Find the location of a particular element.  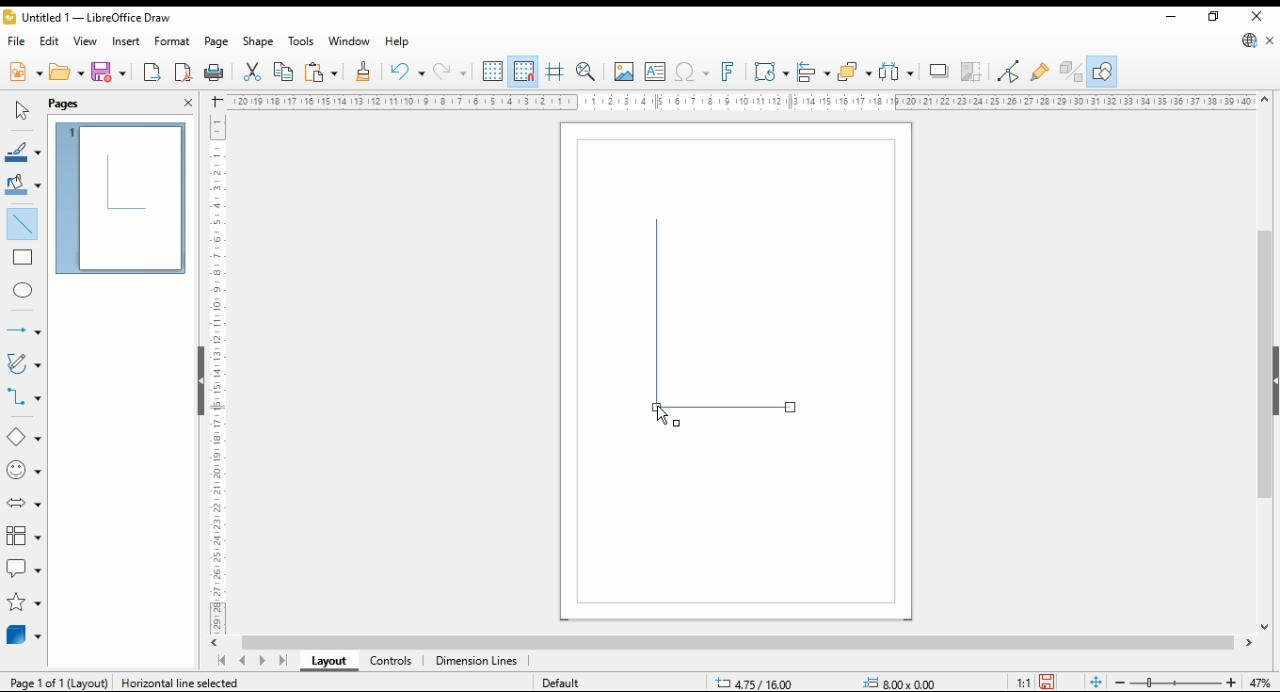

select at least three objects to distribute is located at coordinates (898, 72).